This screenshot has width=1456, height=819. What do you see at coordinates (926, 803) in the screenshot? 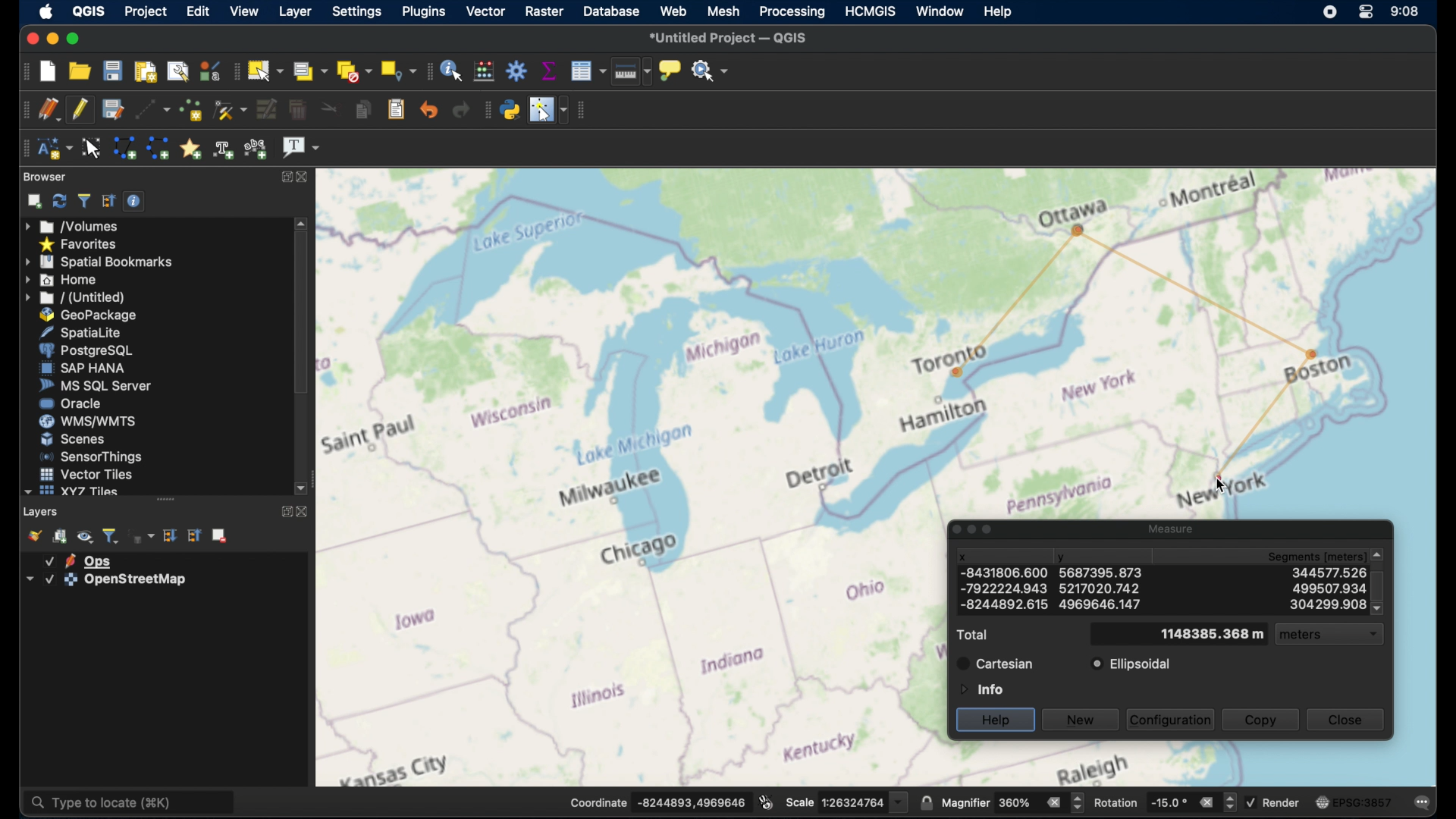
I see `lock scale to use magnifier` at bounding box center [926, 803].